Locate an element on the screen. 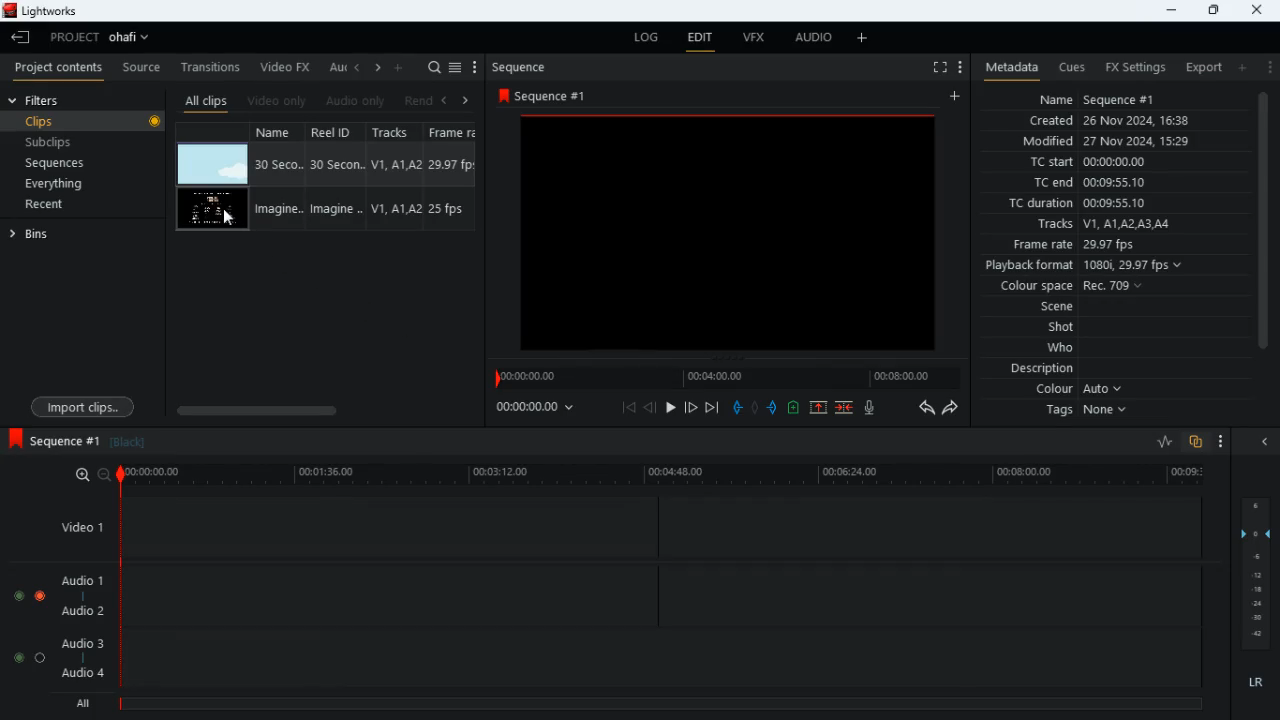  all clips is located at coordinates (206, 101).